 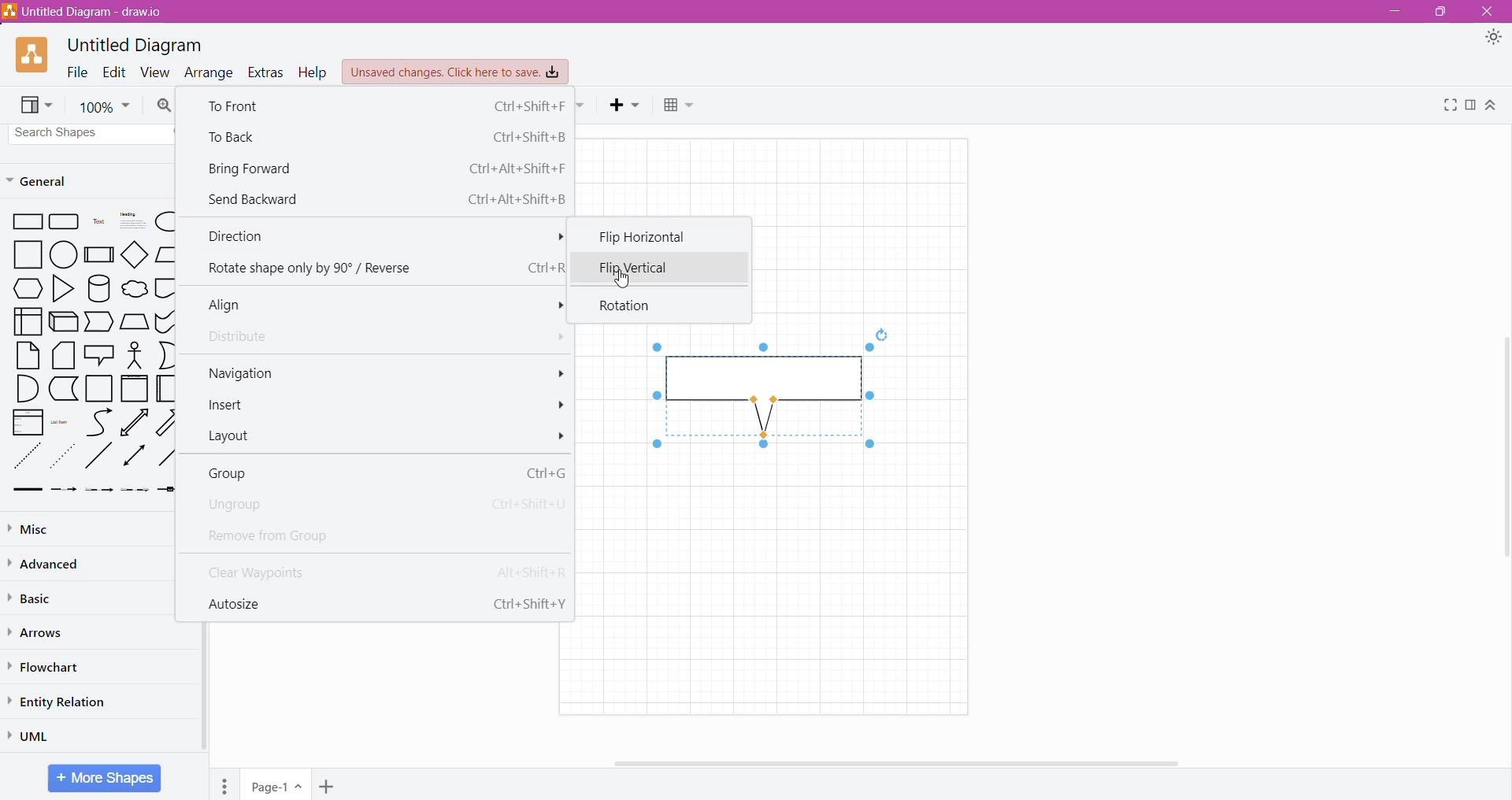 What do you see at coordinates (385, 168) in the screenshot?
I see `Bring Forward` at bounding box center [385, 168].